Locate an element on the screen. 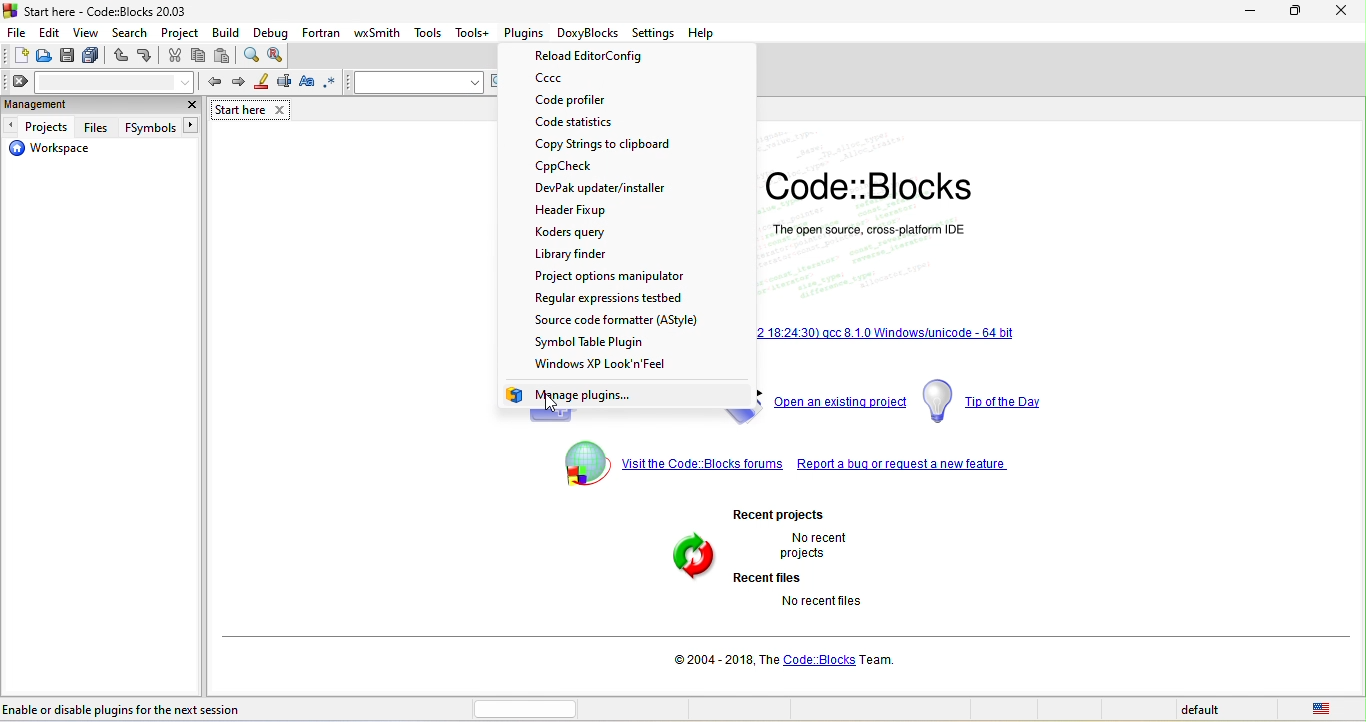  previous is located at coordinates (211, 80).